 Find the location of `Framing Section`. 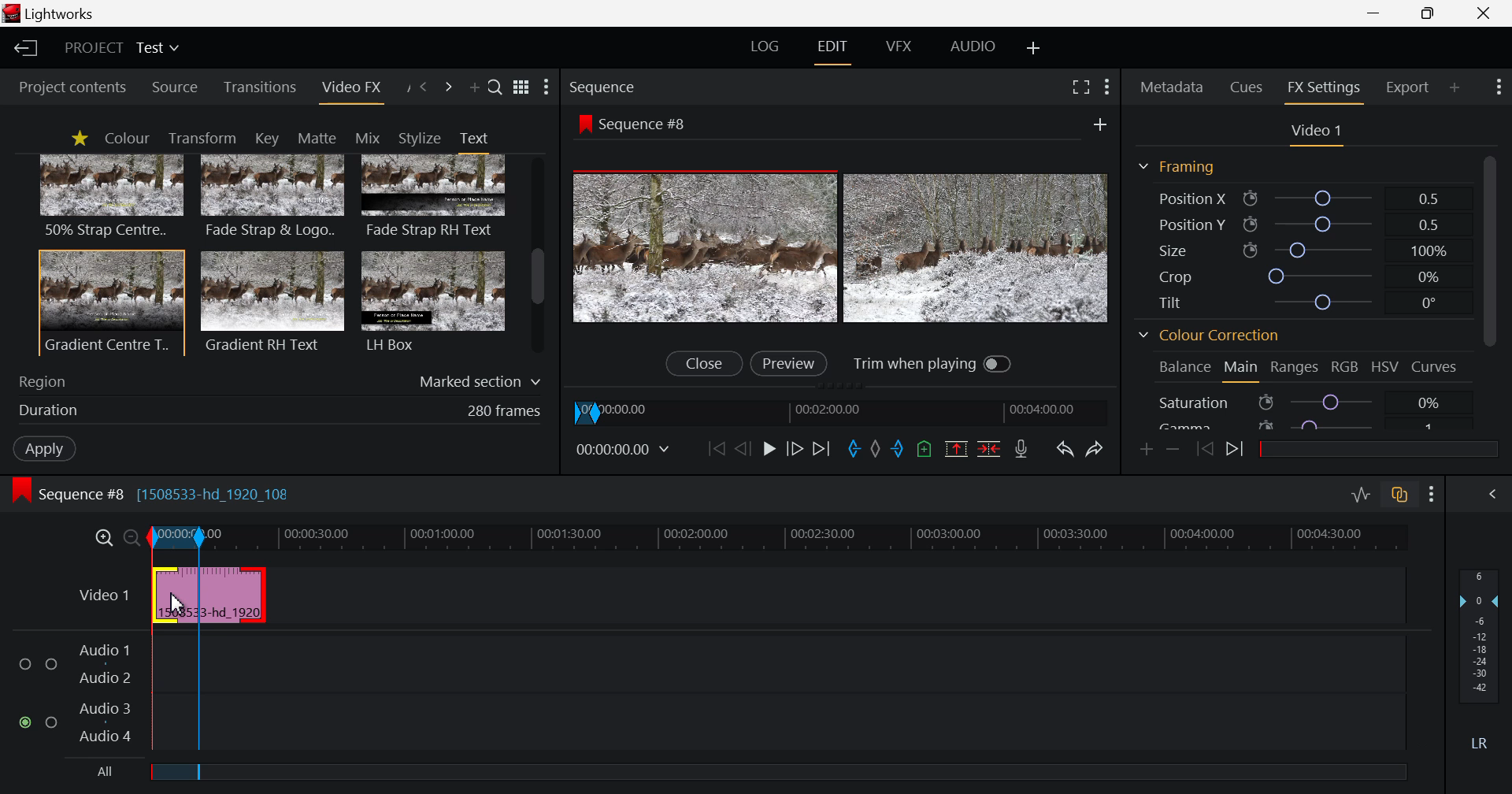

Framing Section is located at coordinates (1183, 166).